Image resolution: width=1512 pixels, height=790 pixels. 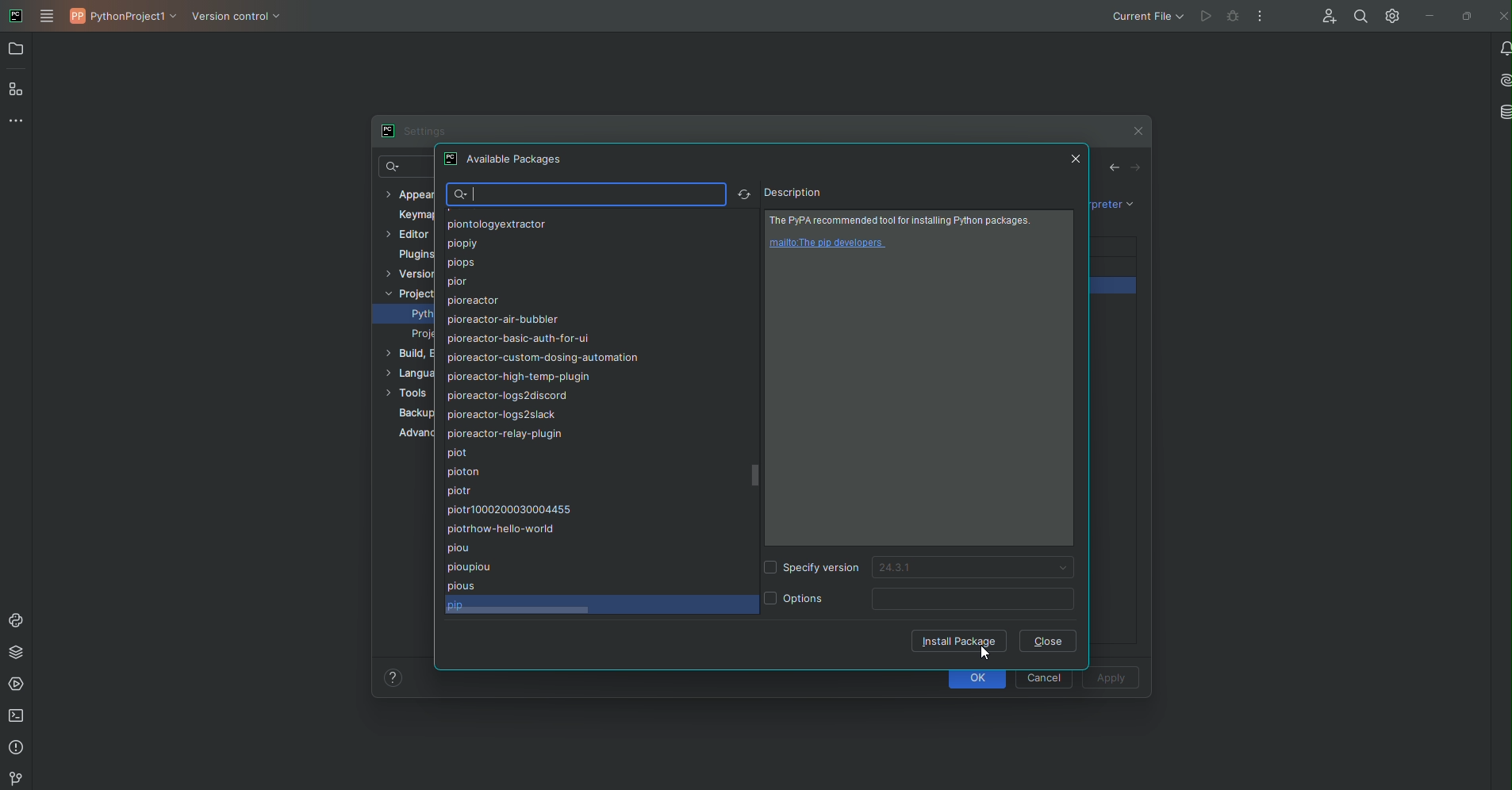 I want to click on Restore, so click(x=1467, y=17).